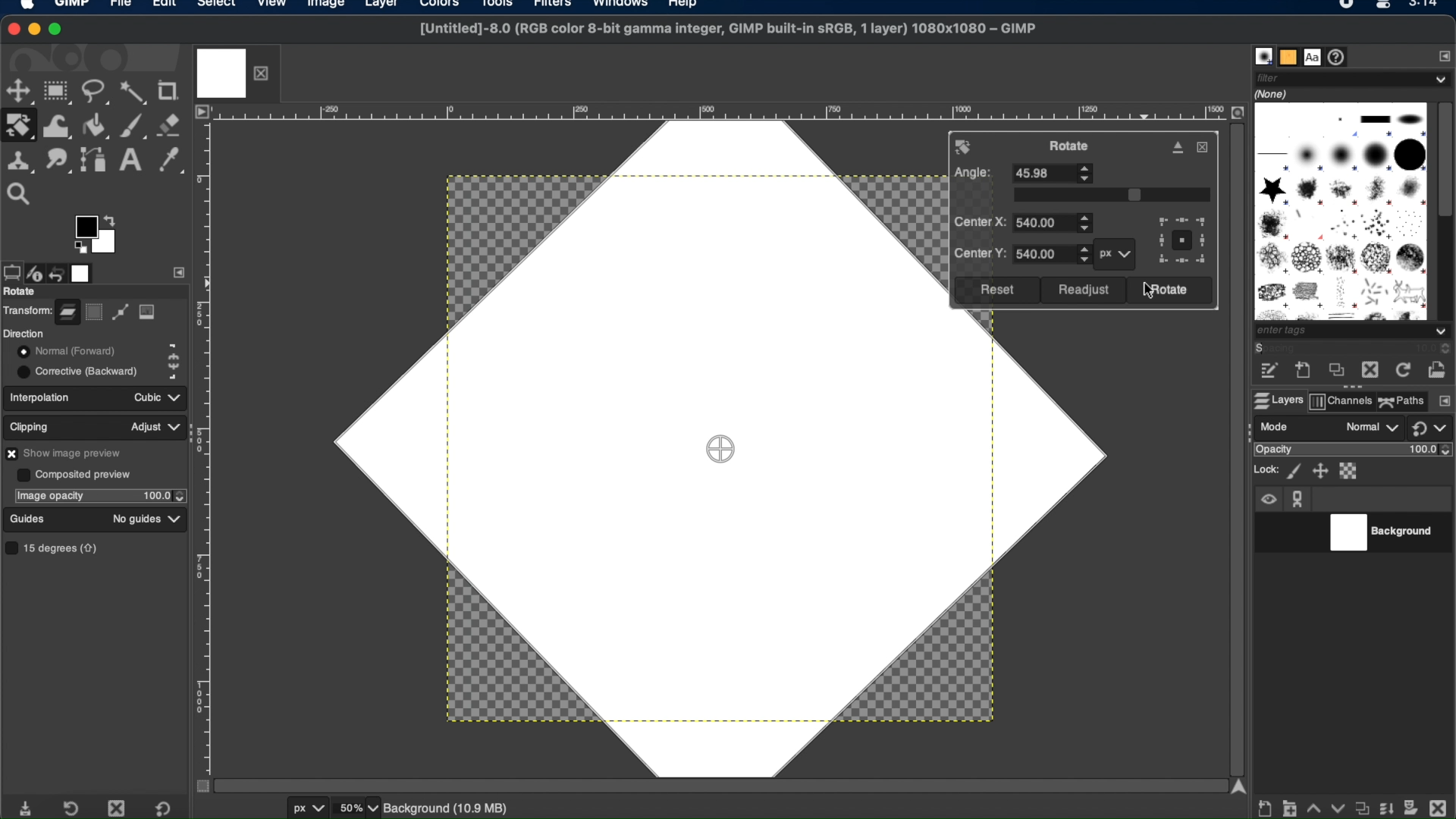 The image size is (1456, 819). I want to click on brushes, so click(1263, 56).